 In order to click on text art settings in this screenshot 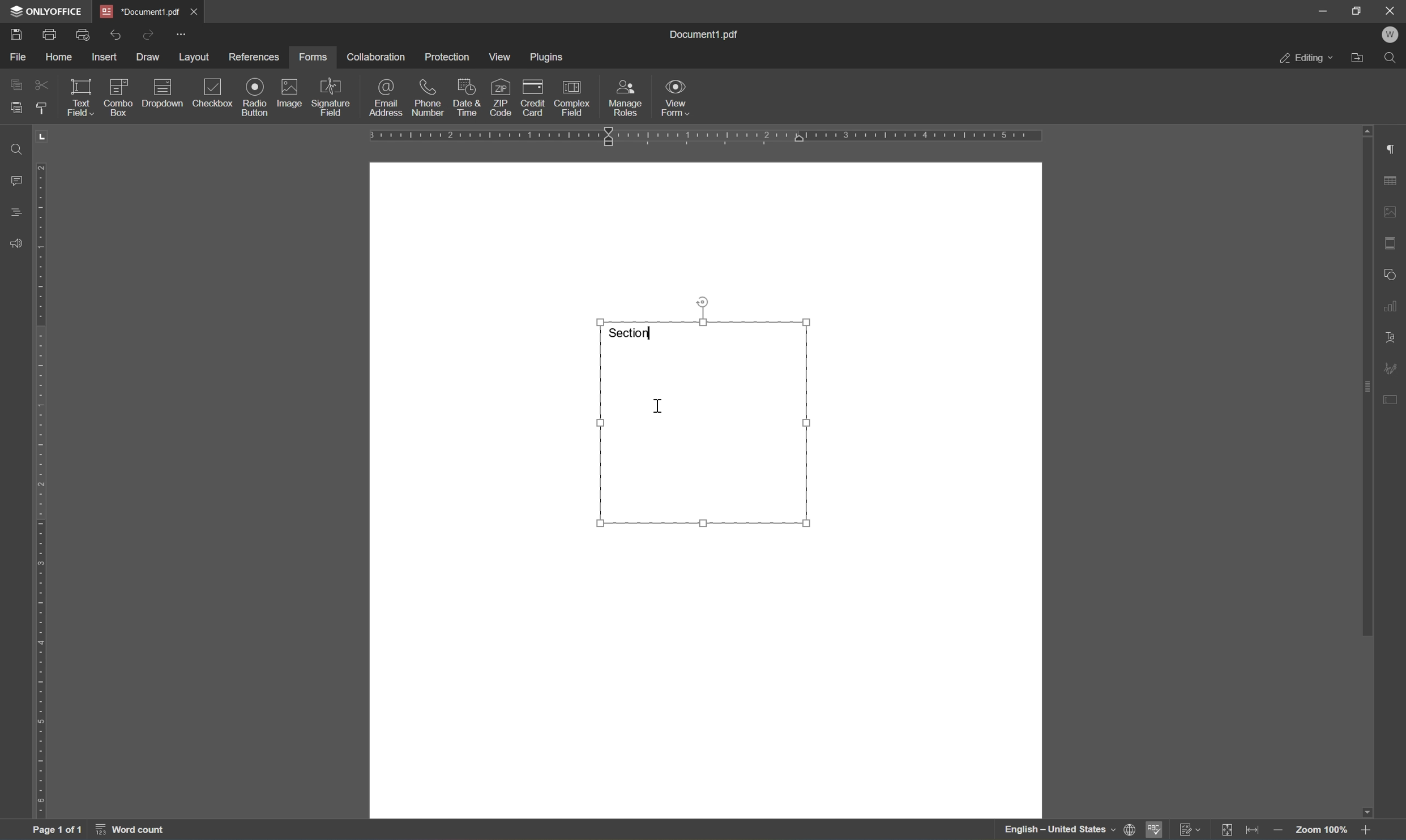, I will do `click(1392, 338)`.